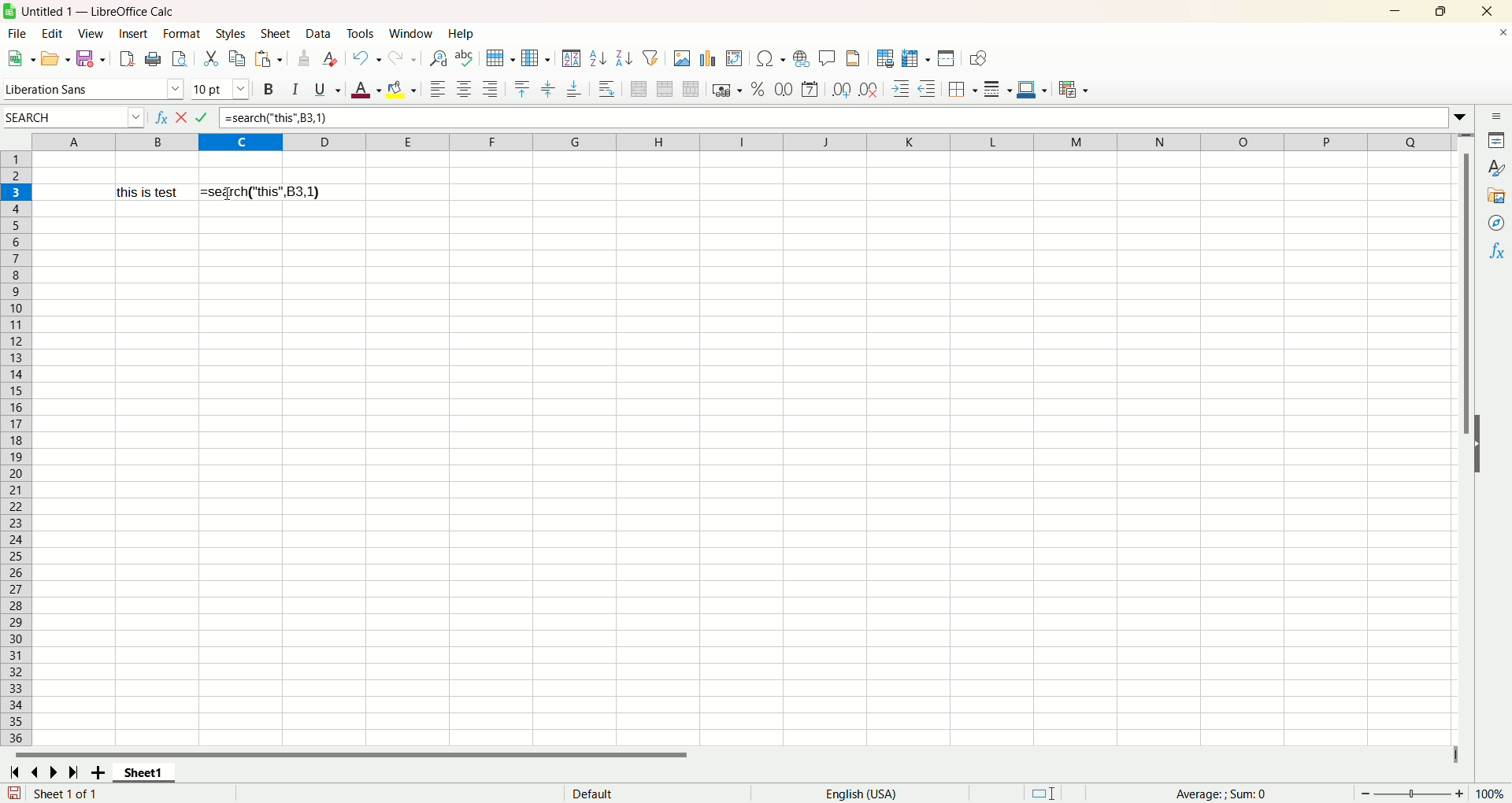 The image size is (1512, 803). What do you see at coordinates (575, 89) in the screenshot?
I see `align bottom` at bounding box center [575, 89].